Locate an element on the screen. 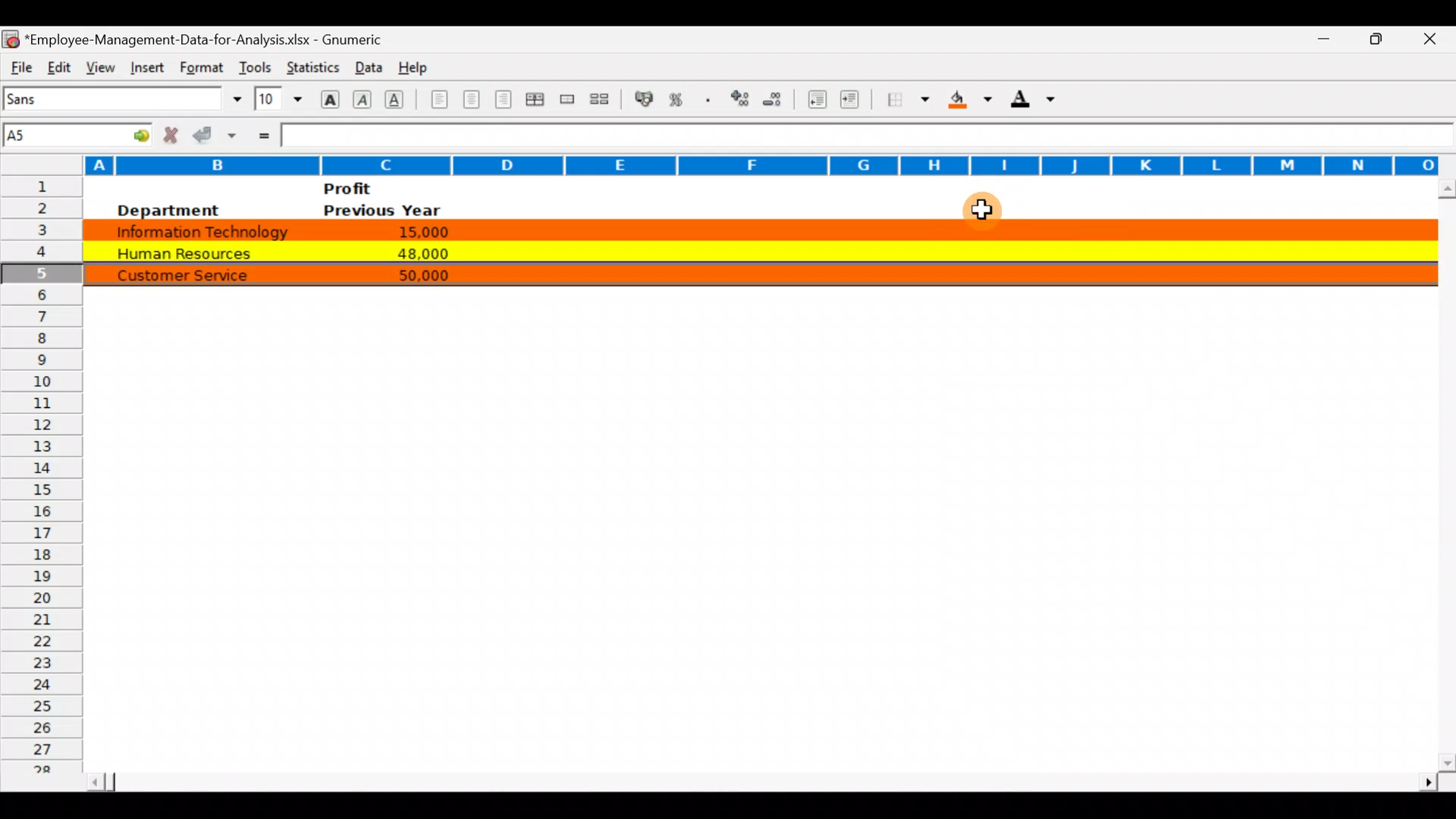  Format is located at coordinates (199, 67).